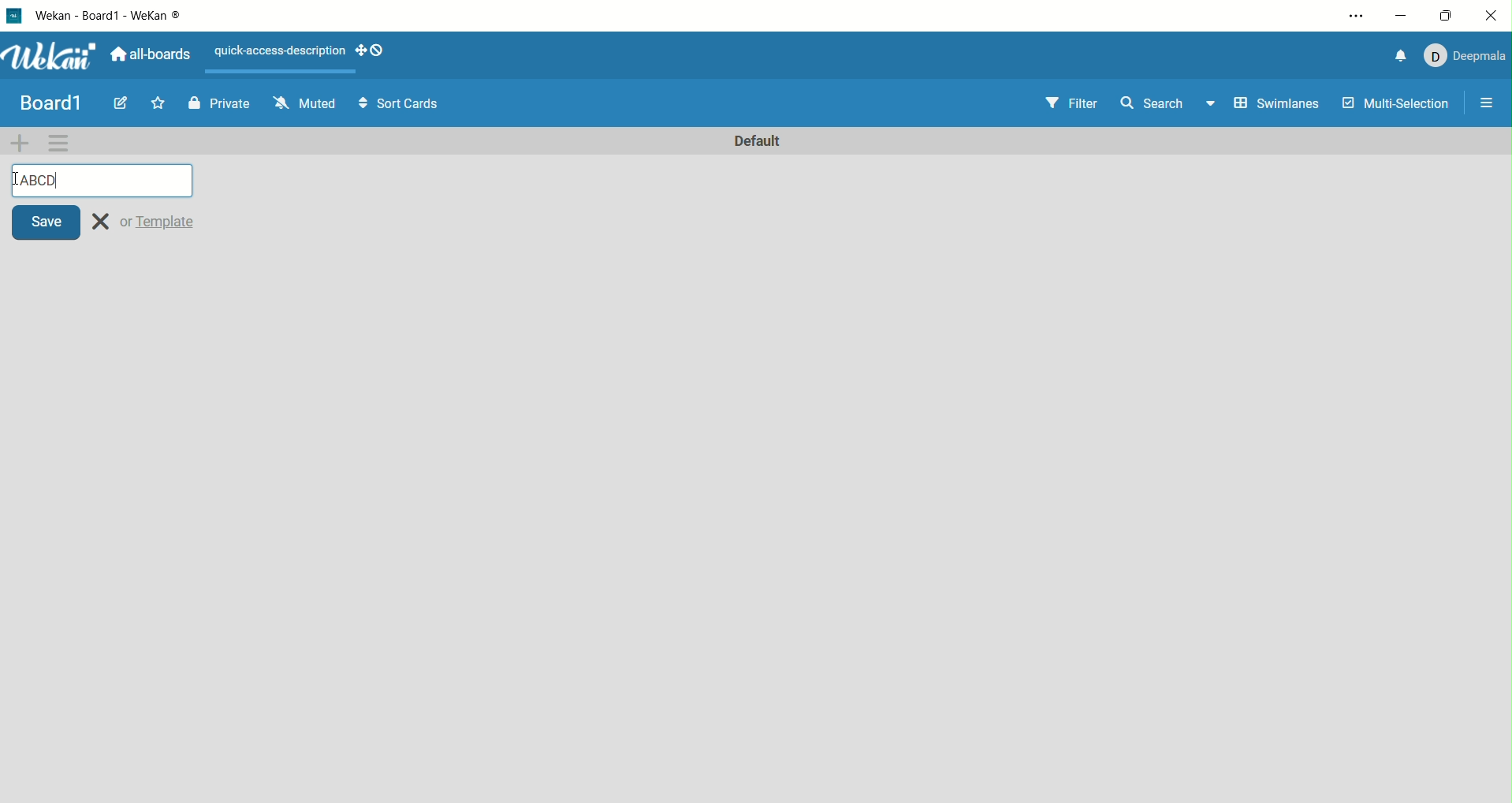  What do you see at coordinates (305, 102) in the screenshot?
I see `muted` at bounding box center [305, 102].